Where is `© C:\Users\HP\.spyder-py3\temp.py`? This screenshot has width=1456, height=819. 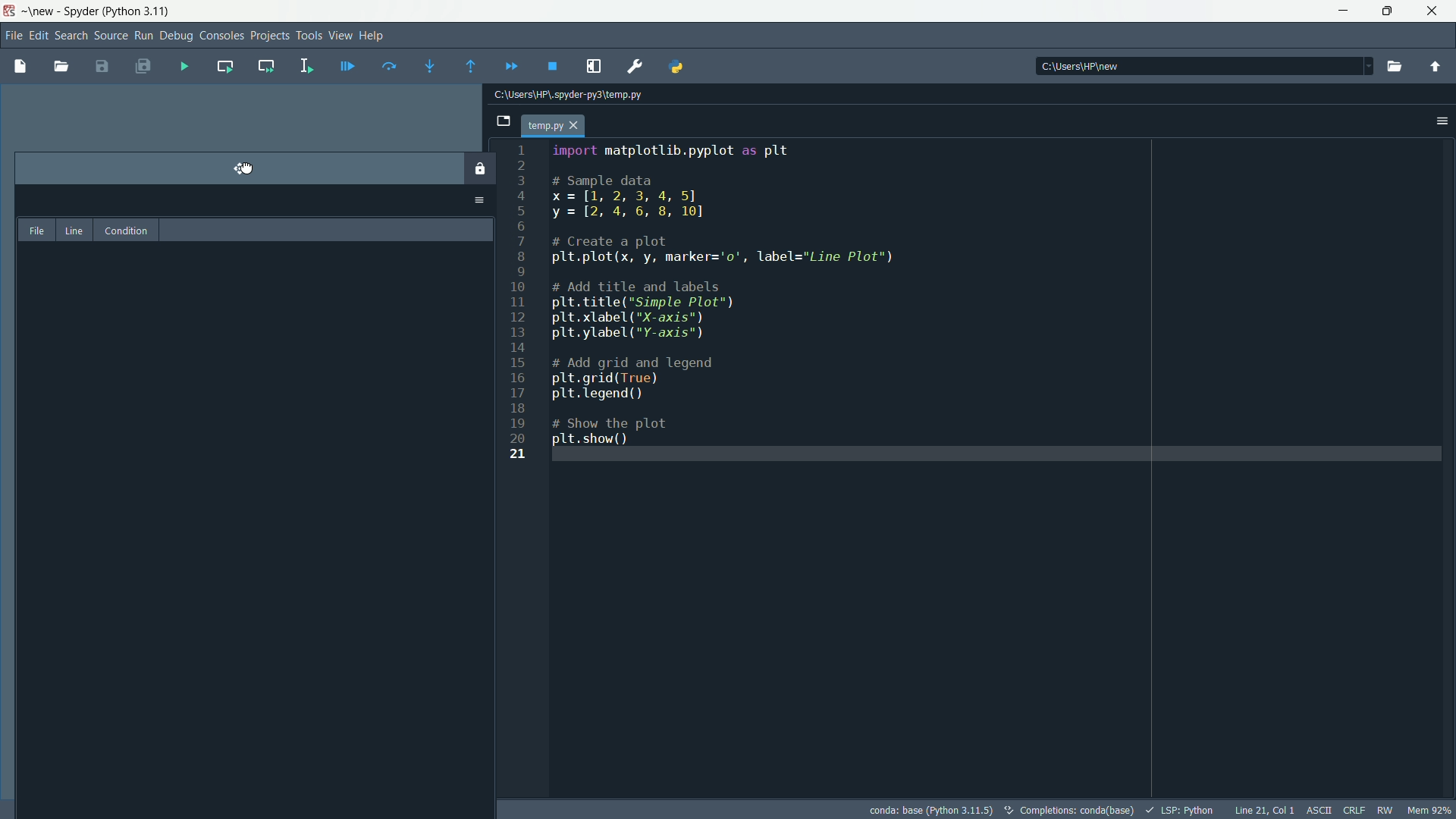
© C:\Users\HP\.spyder-py3\temp.py is located at coordinates (591, 95).